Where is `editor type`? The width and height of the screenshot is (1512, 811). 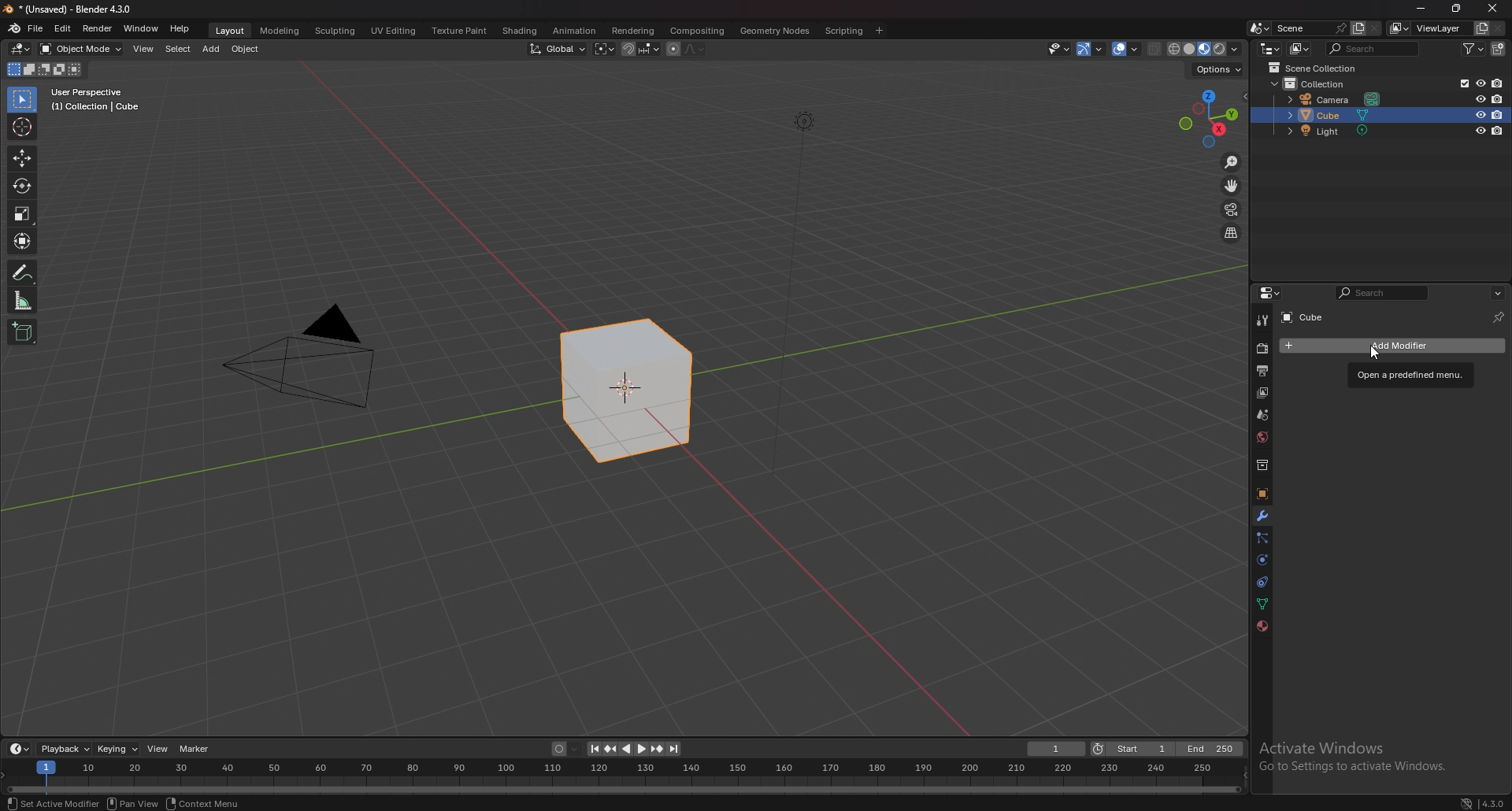
editor type is located at coordinates (20, 49).